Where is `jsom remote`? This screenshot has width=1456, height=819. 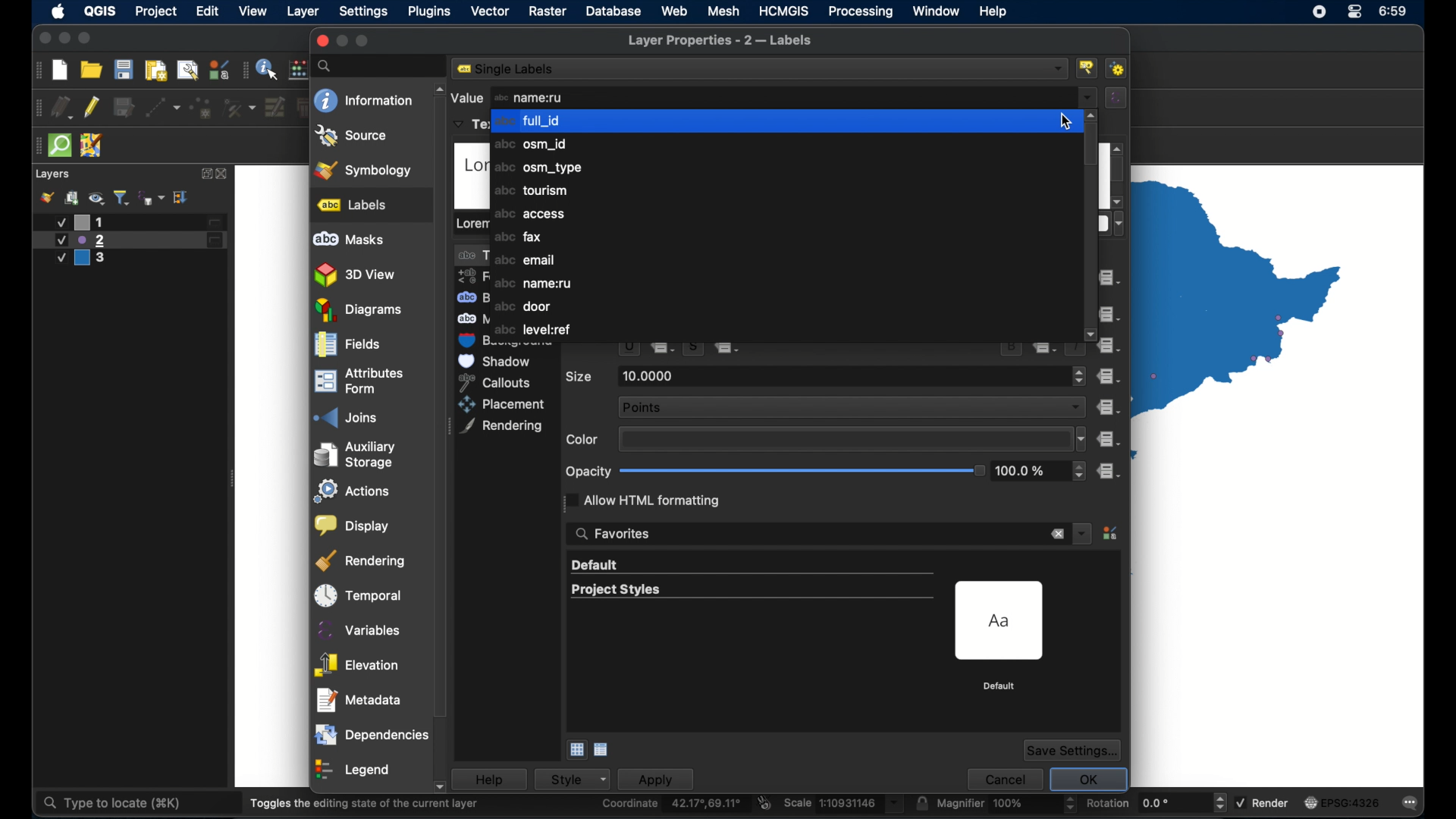
jsom remote is located at coordinates (92, 145).